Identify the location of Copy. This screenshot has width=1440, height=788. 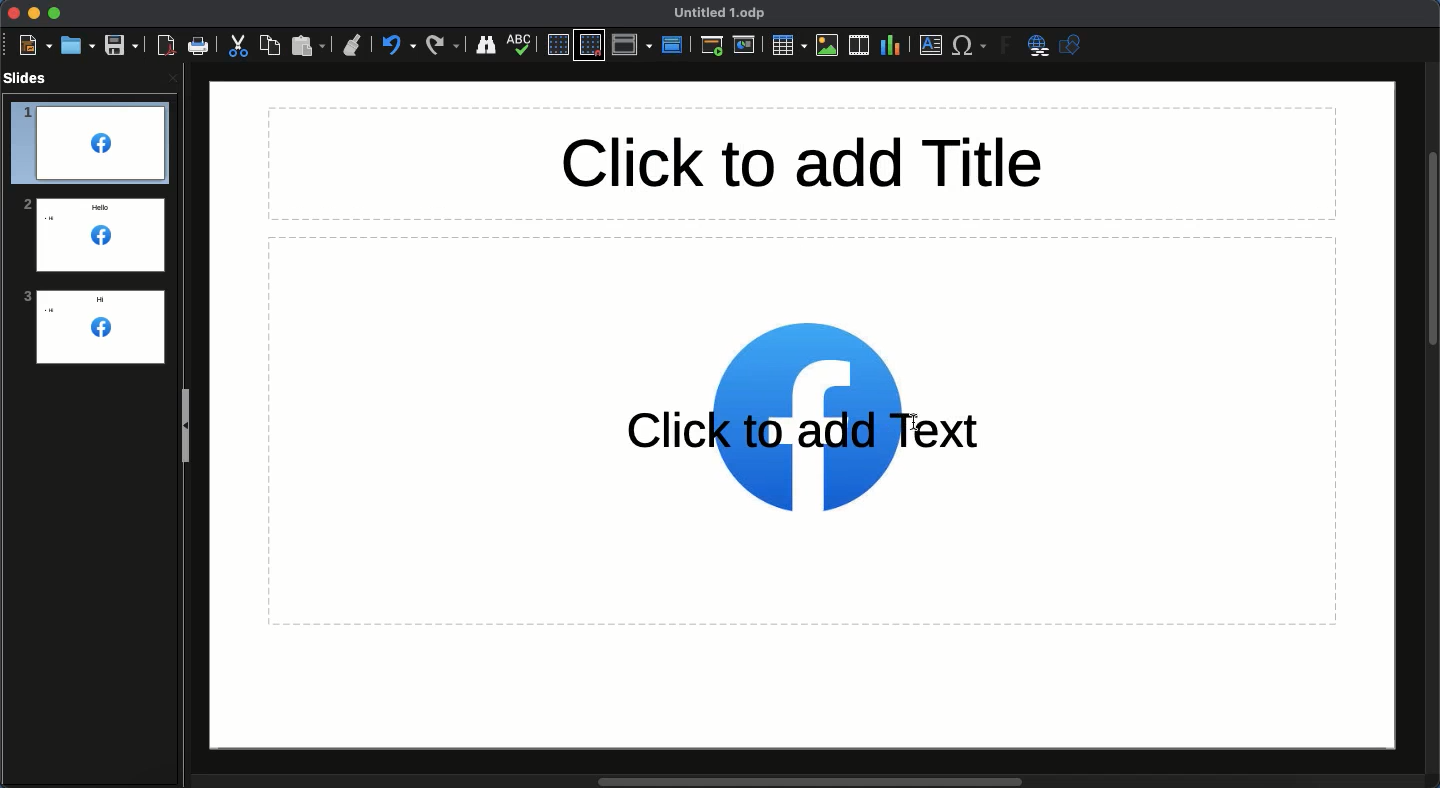
(269, 45).